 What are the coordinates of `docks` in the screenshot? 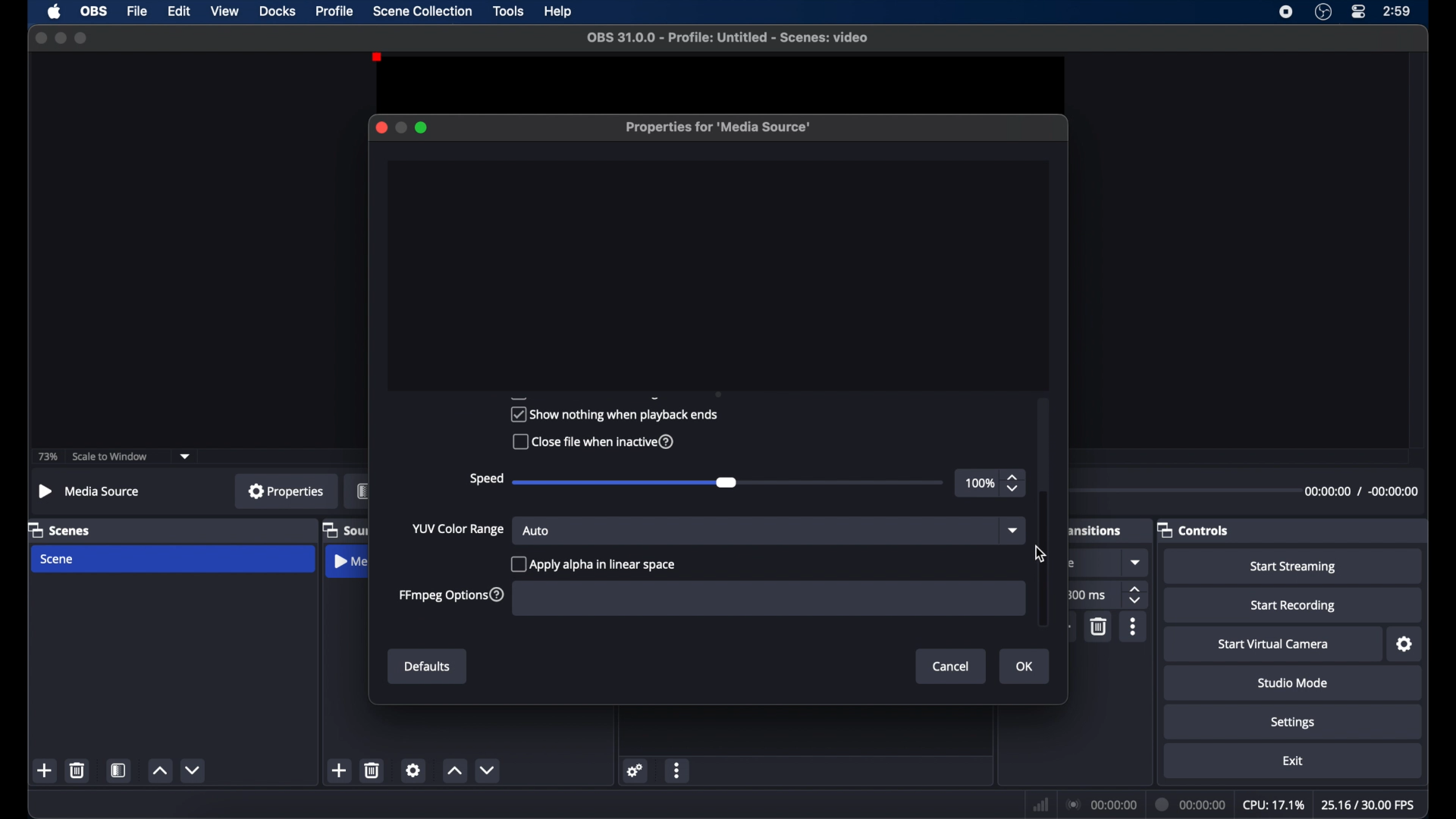 It's located at (278, 12).